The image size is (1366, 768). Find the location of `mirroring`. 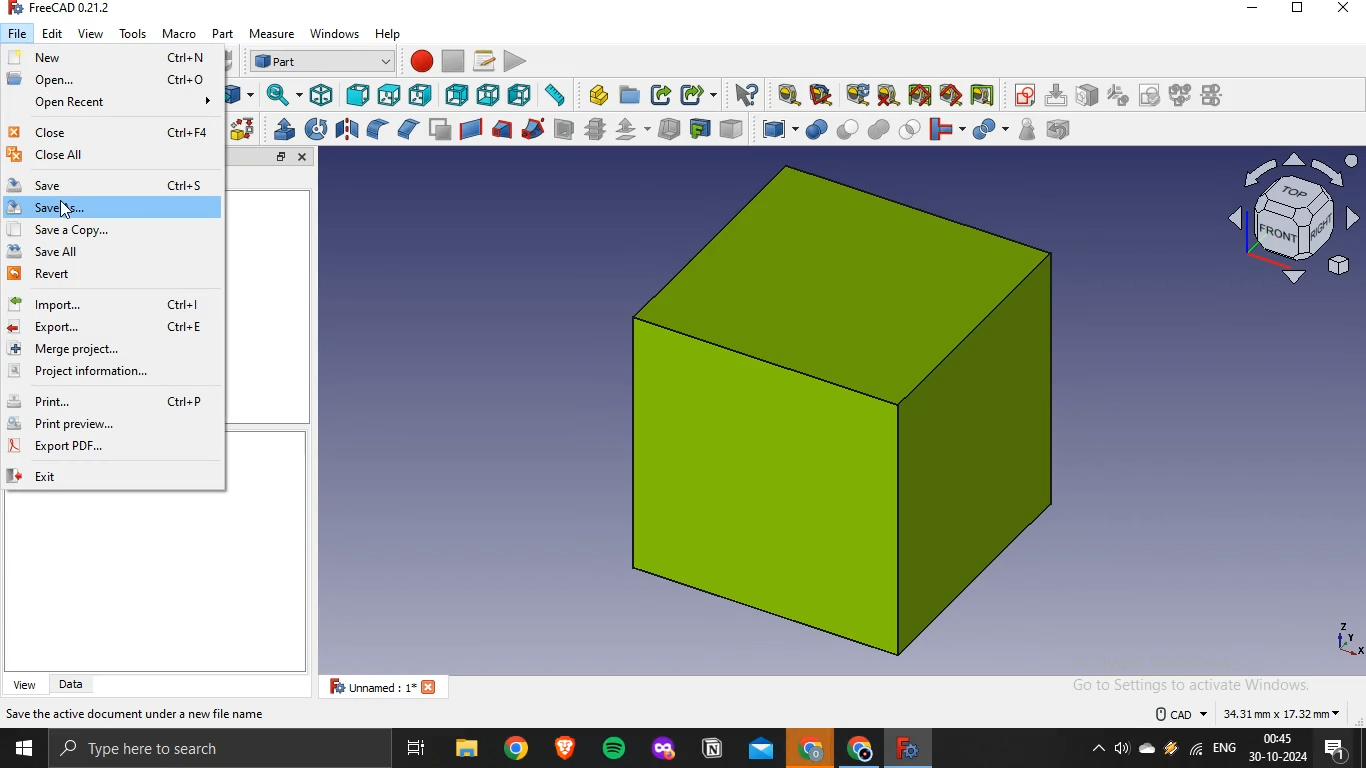

mirroring is located at coordinates (347, 130).